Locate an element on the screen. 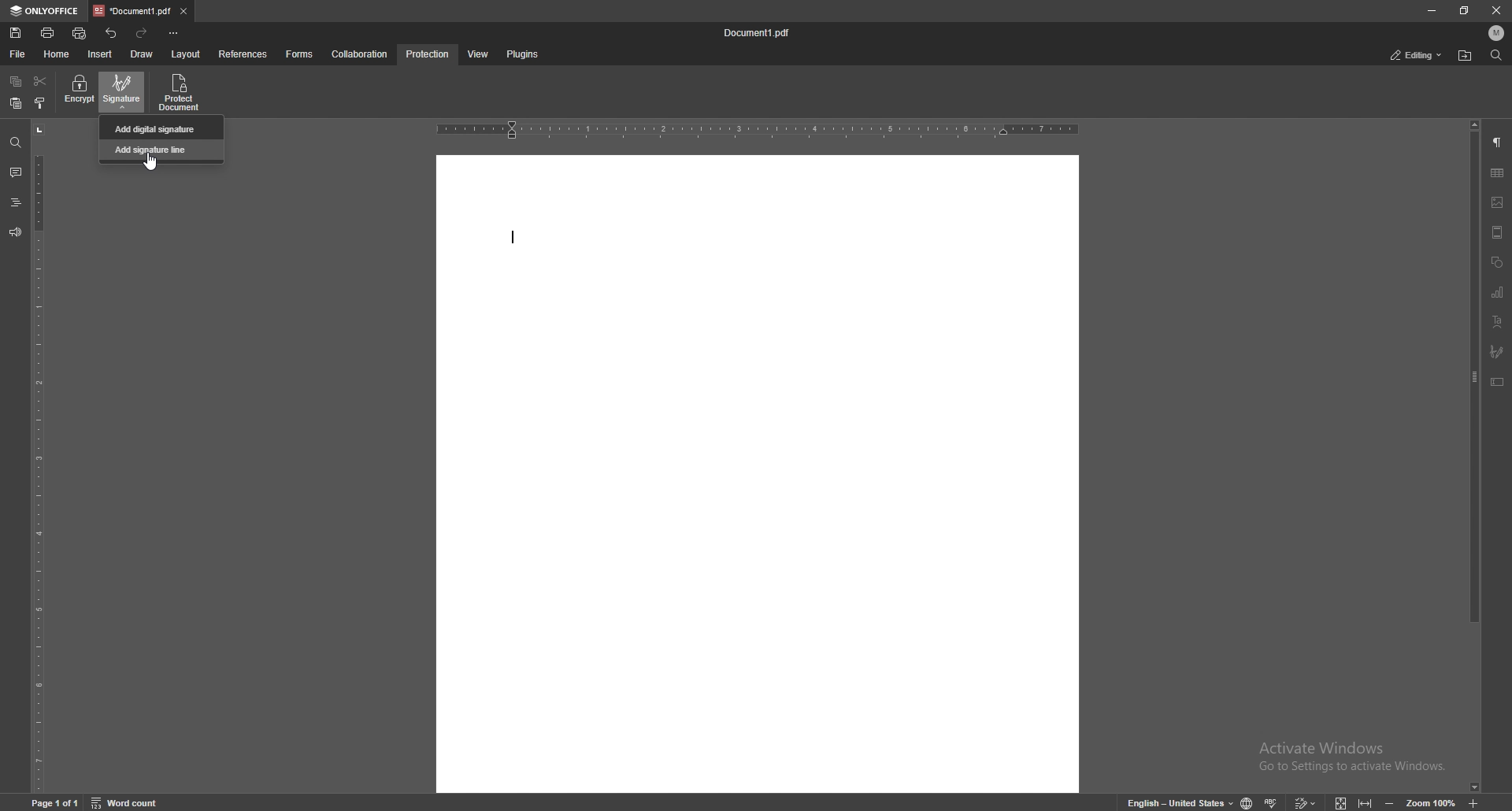  word count is located at coordinates (135, 802).